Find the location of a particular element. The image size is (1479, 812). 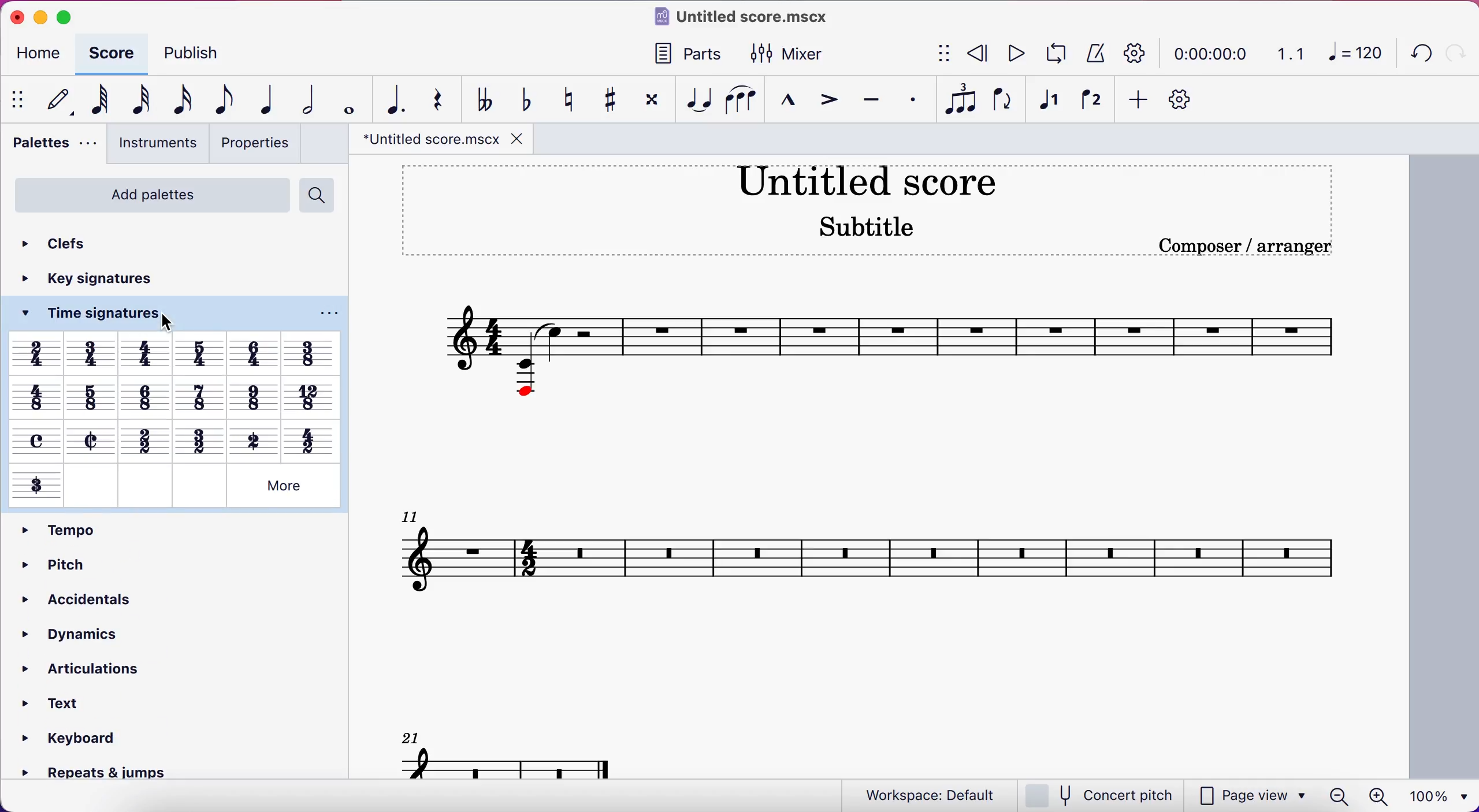

More options is located at coordinates (329, 311).